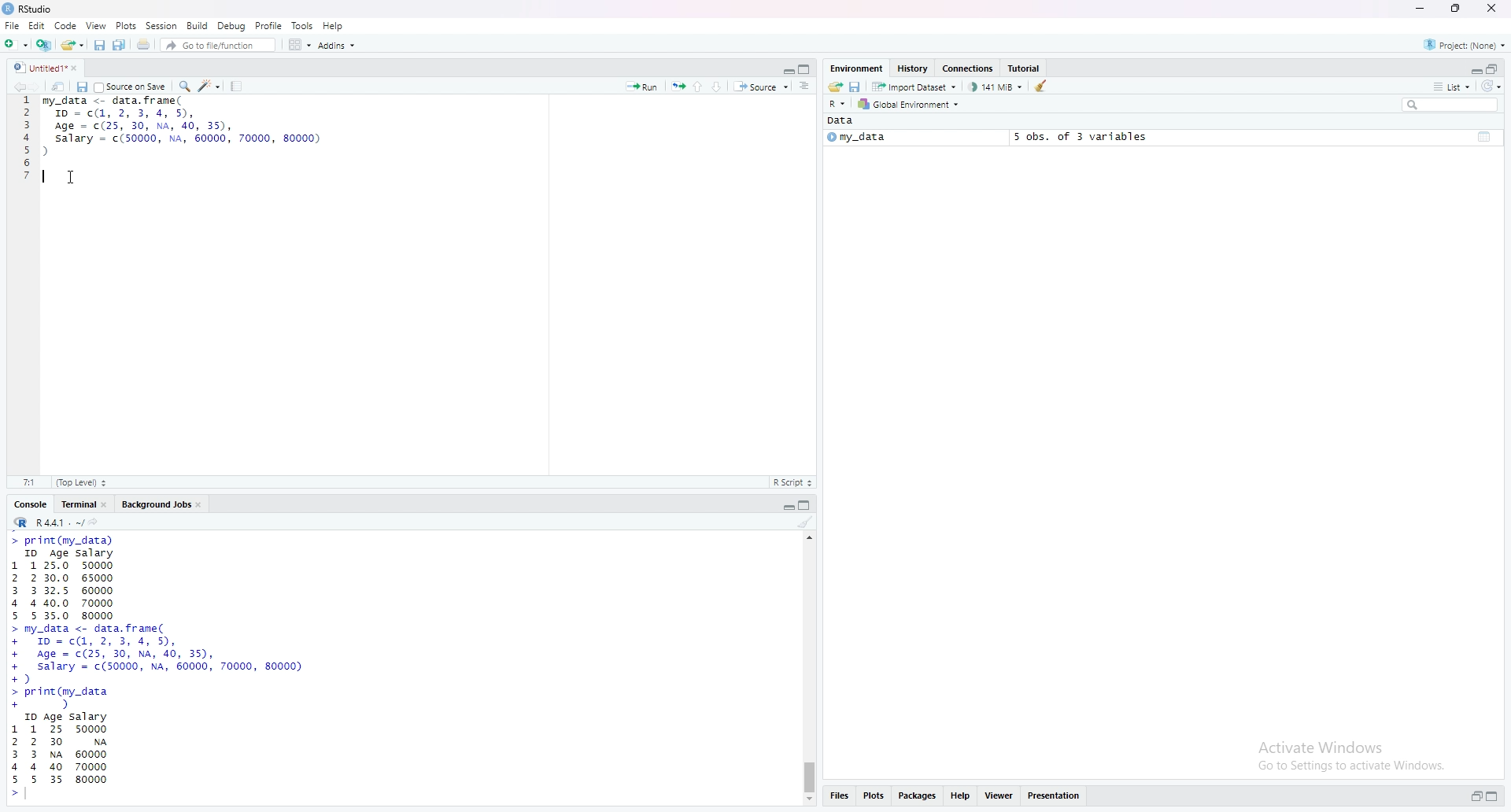 The width and height of the screenshot is (1511, 812). Describe the element at coordinates (183, 128) in the screenshot. I see `data frame code` at that location.